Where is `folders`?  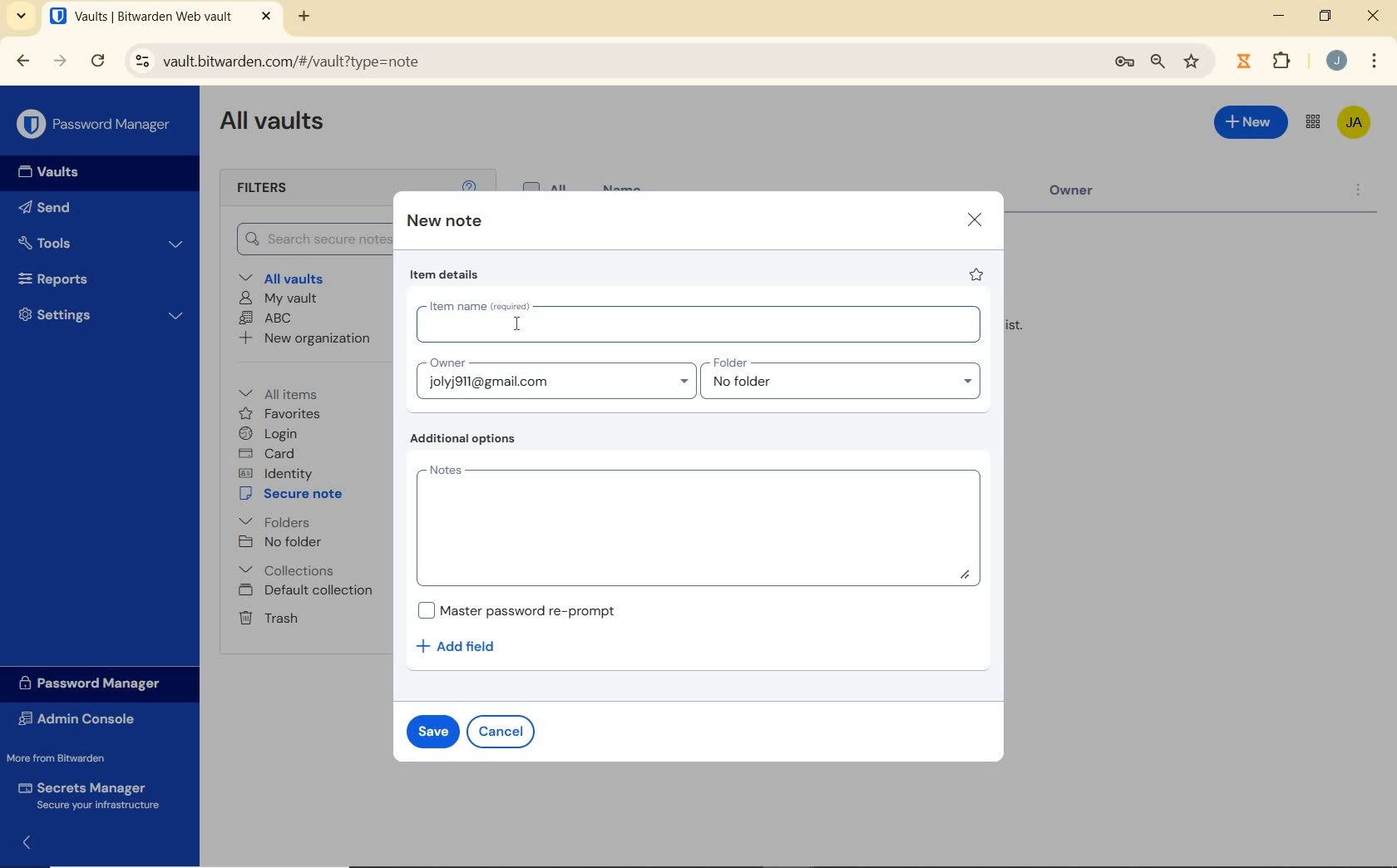
folders is located at coordinates (274, 520).